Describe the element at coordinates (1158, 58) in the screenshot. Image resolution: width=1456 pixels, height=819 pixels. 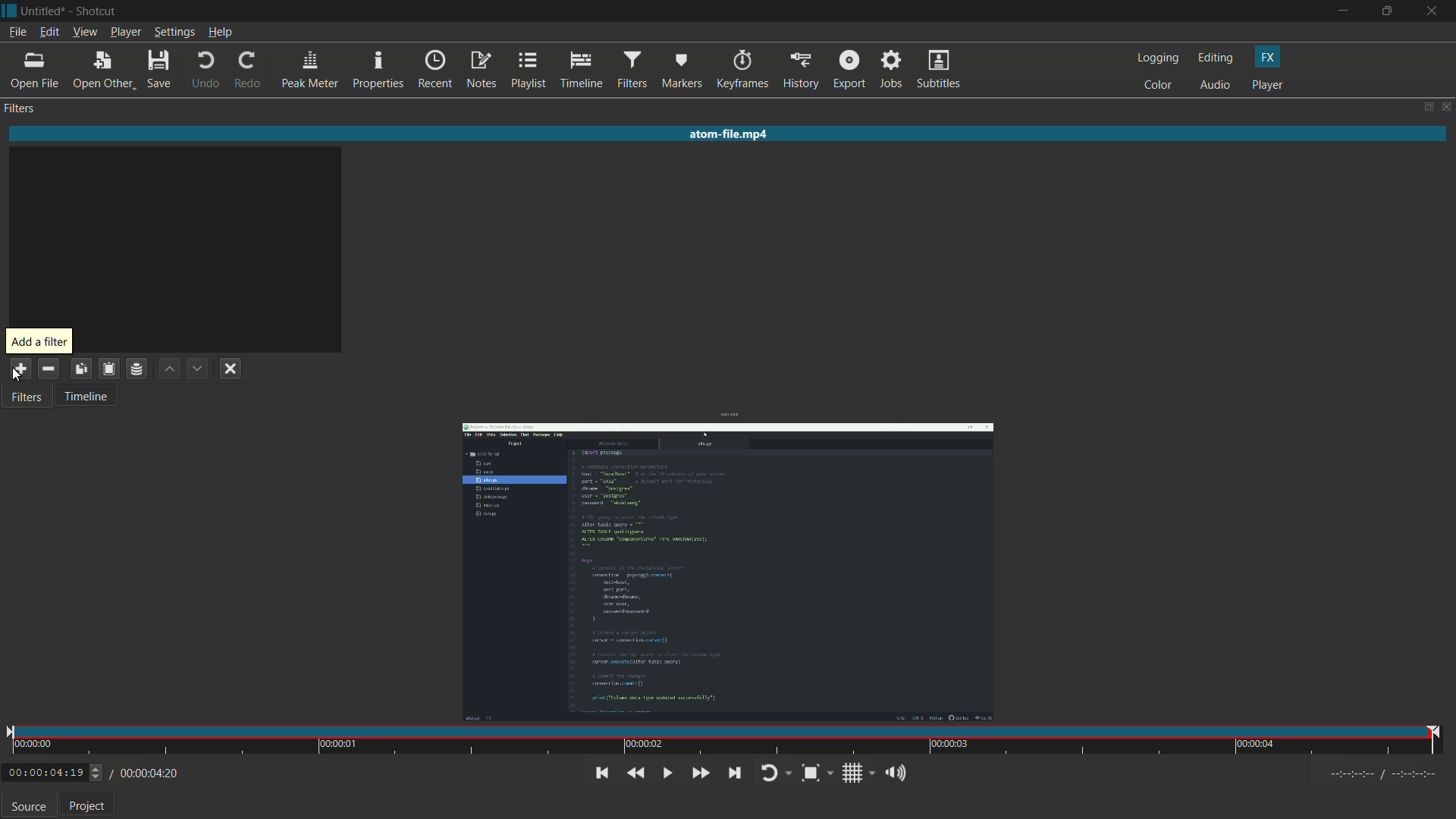
I see `logging` at that location.